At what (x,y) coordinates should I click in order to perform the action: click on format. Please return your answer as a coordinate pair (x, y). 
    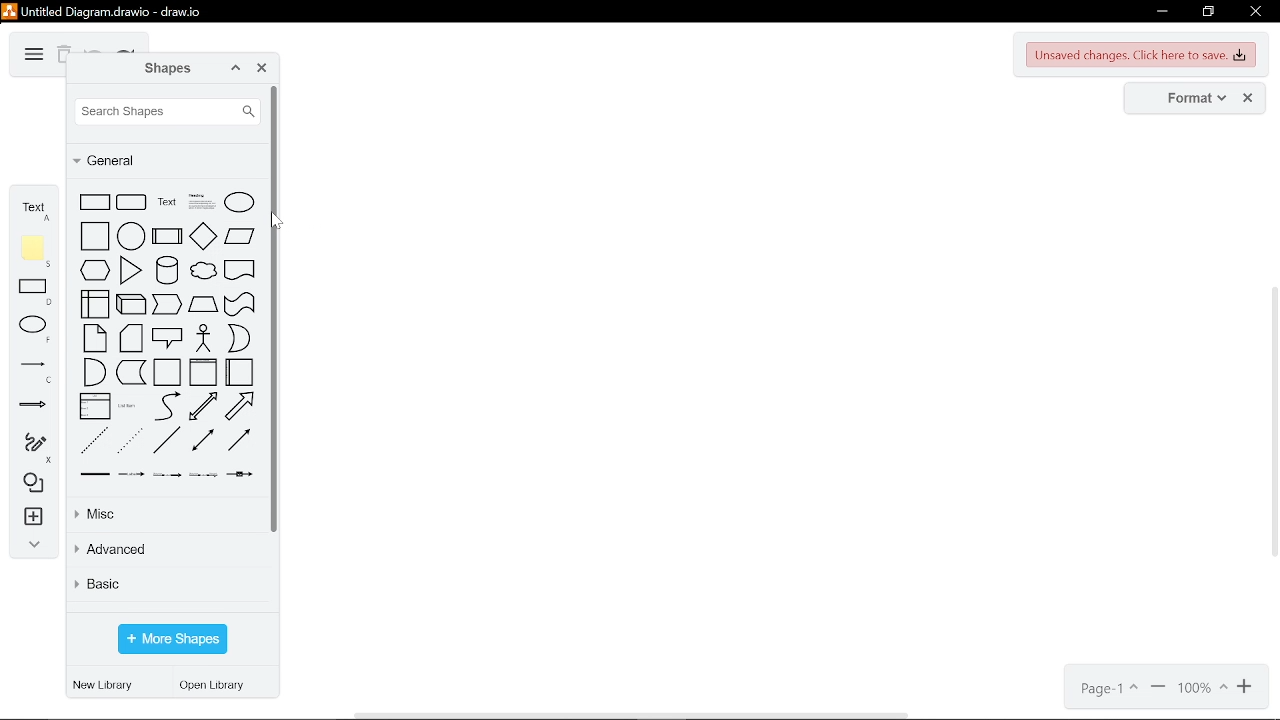
    Looking at the image, I should click on (1190, 99).